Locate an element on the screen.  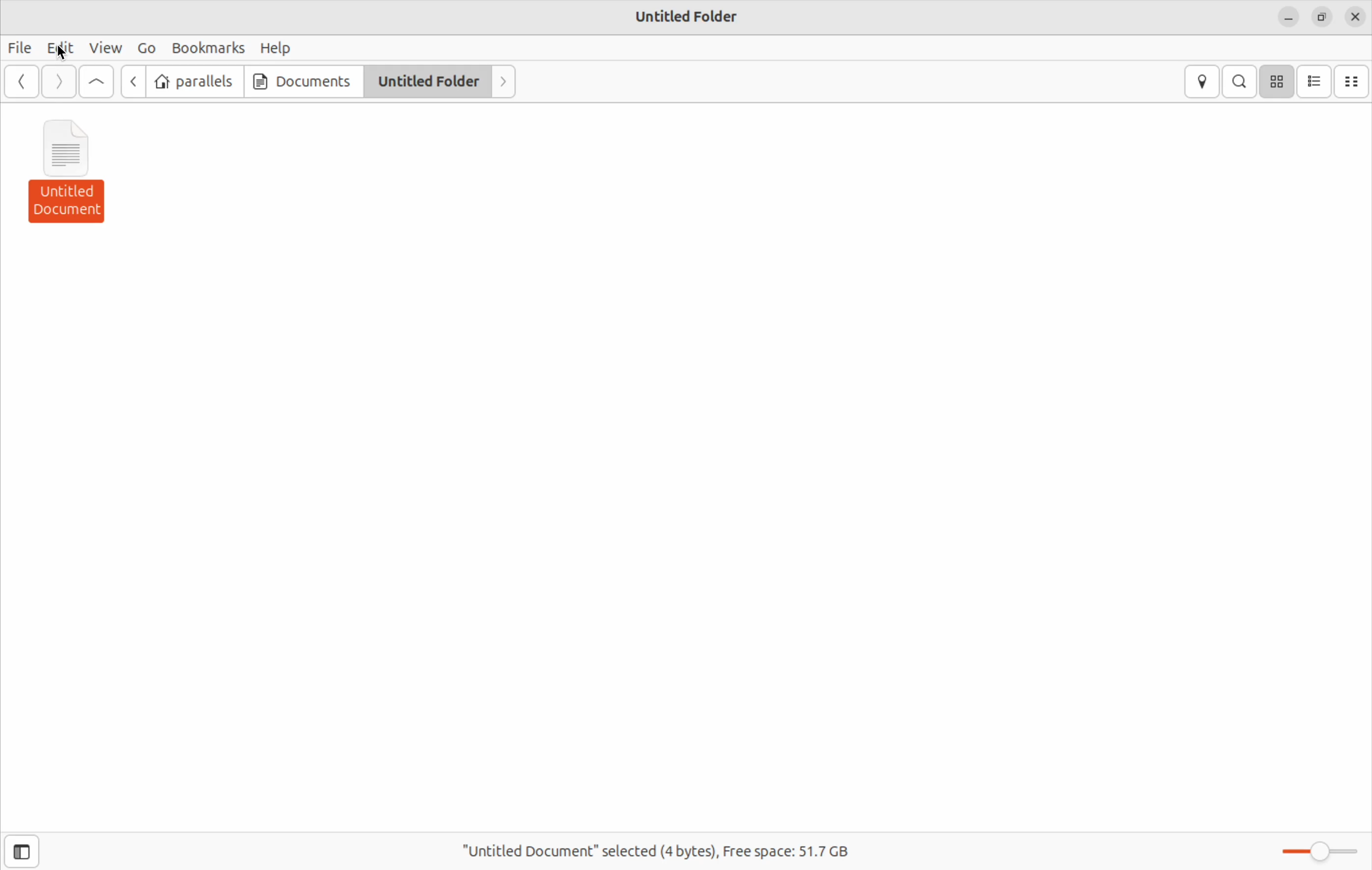
Documents is located at coordinates (300, 81).